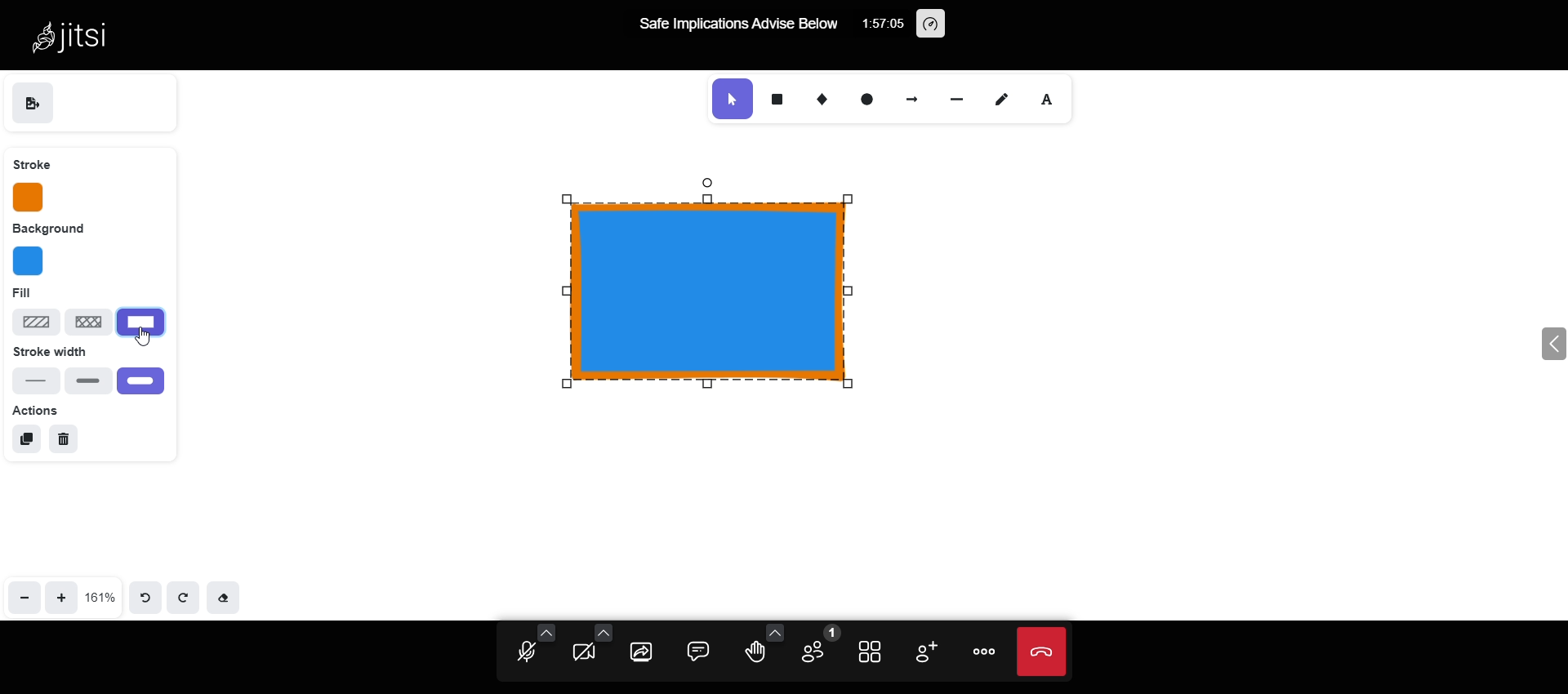  Describe the element at coordinates (755, 654) in the screenshot. I see `raise hands` at that location.